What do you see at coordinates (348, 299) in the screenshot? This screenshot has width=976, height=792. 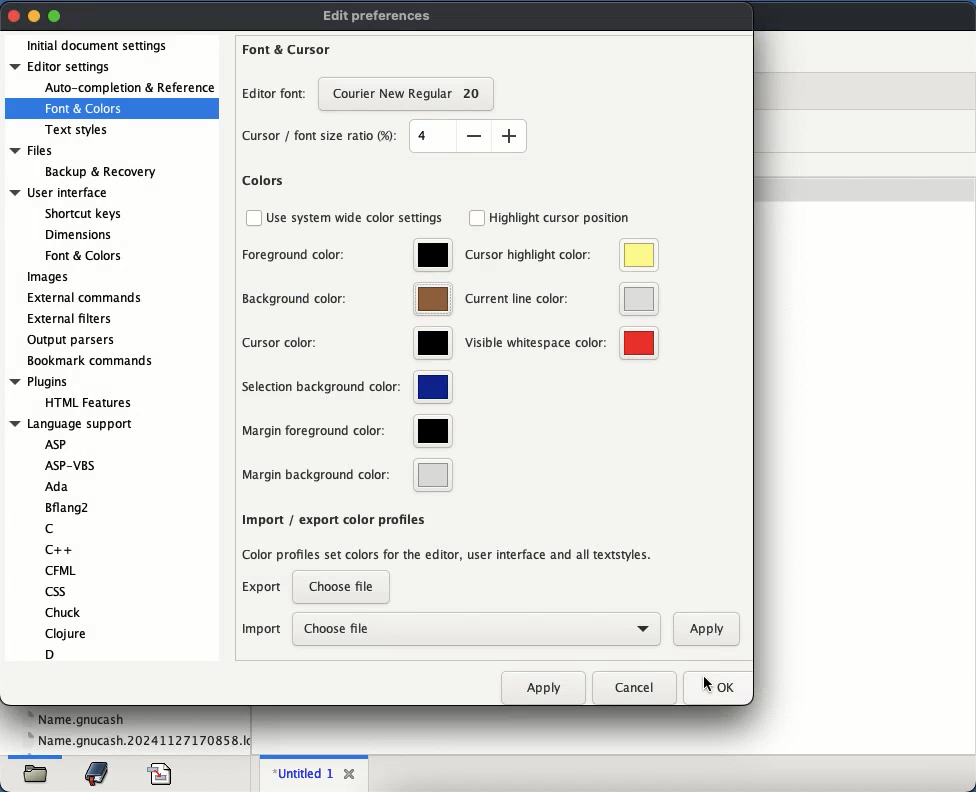 I see `background color` at bounding box center [348, 299].